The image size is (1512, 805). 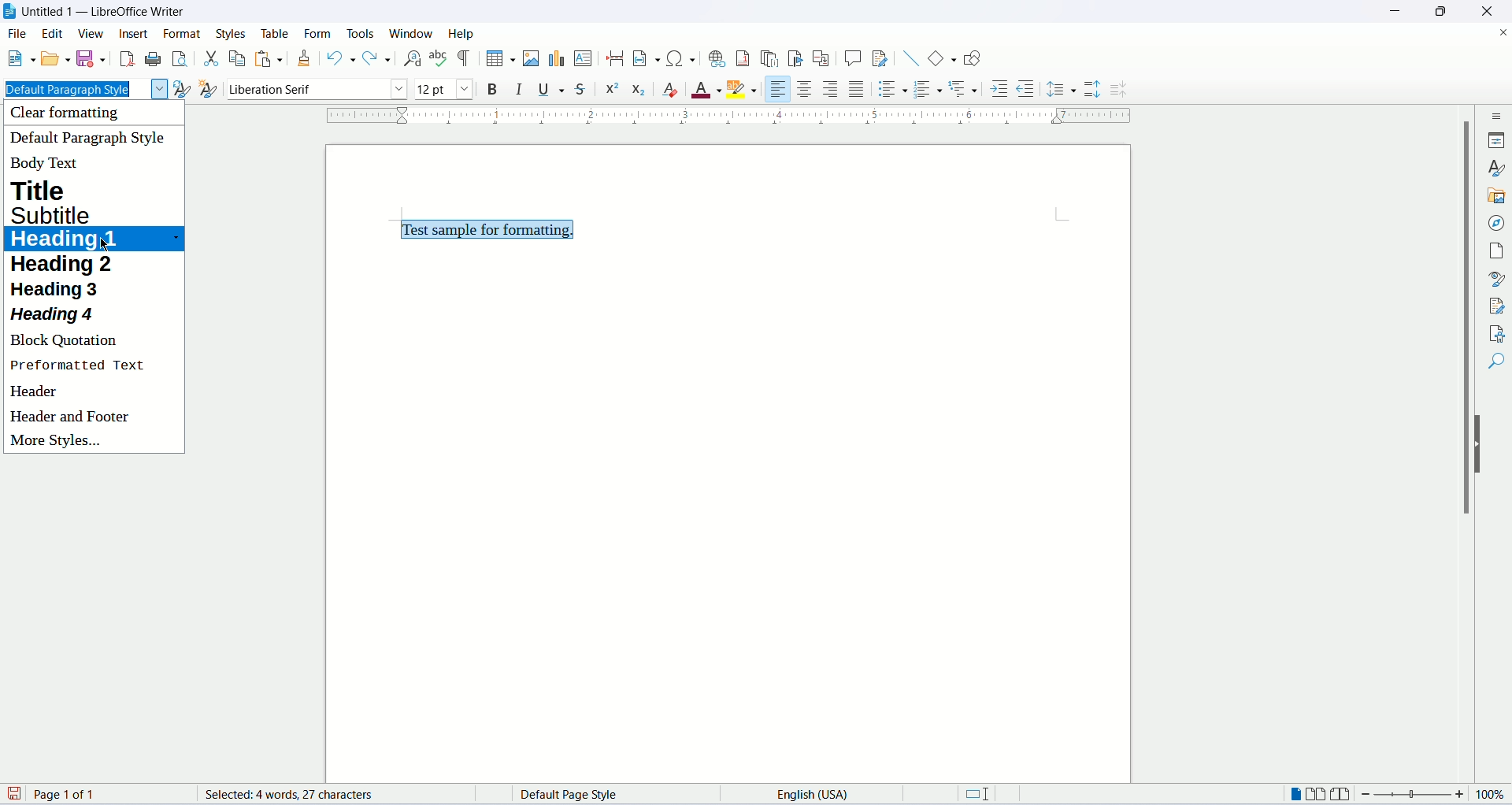 I want to click on decrease indent, so click(x=1025, y=88).